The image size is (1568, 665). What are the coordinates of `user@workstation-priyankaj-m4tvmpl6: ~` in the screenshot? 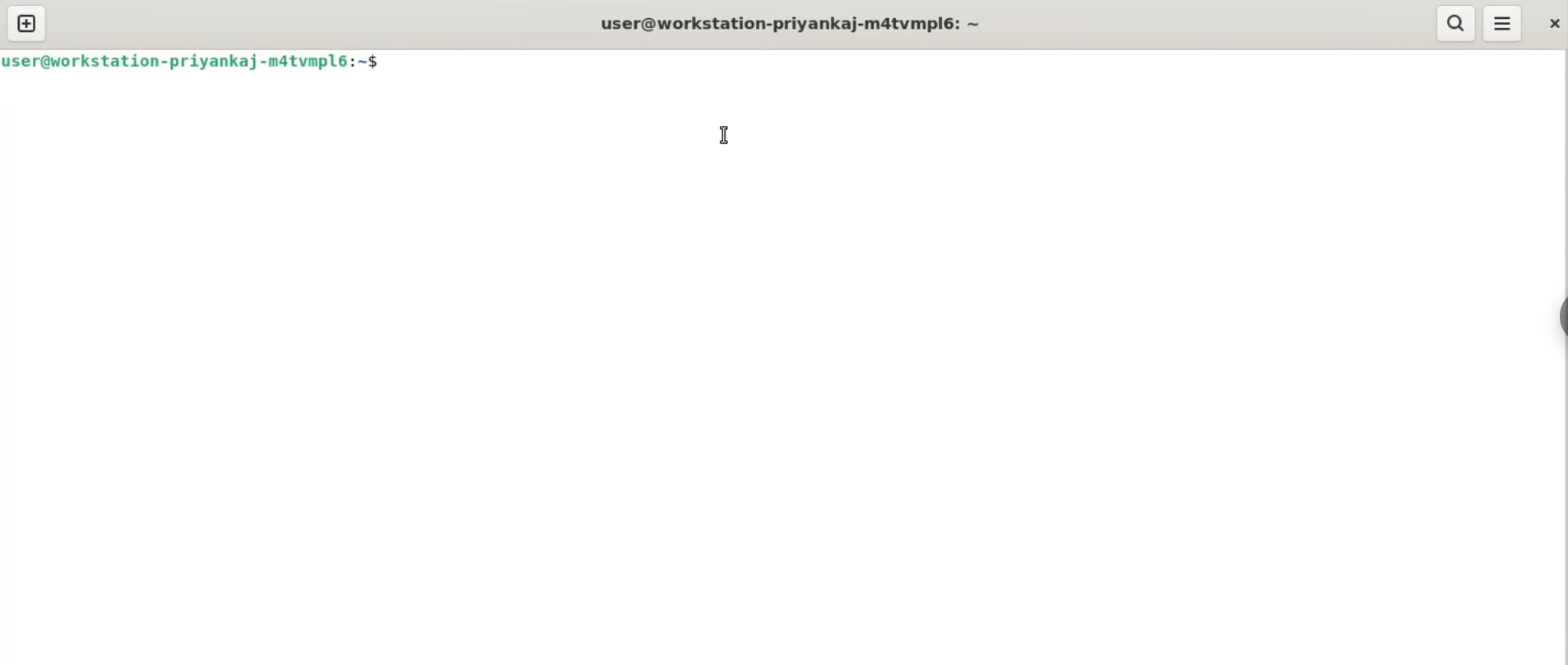 It's located at (791, 26).